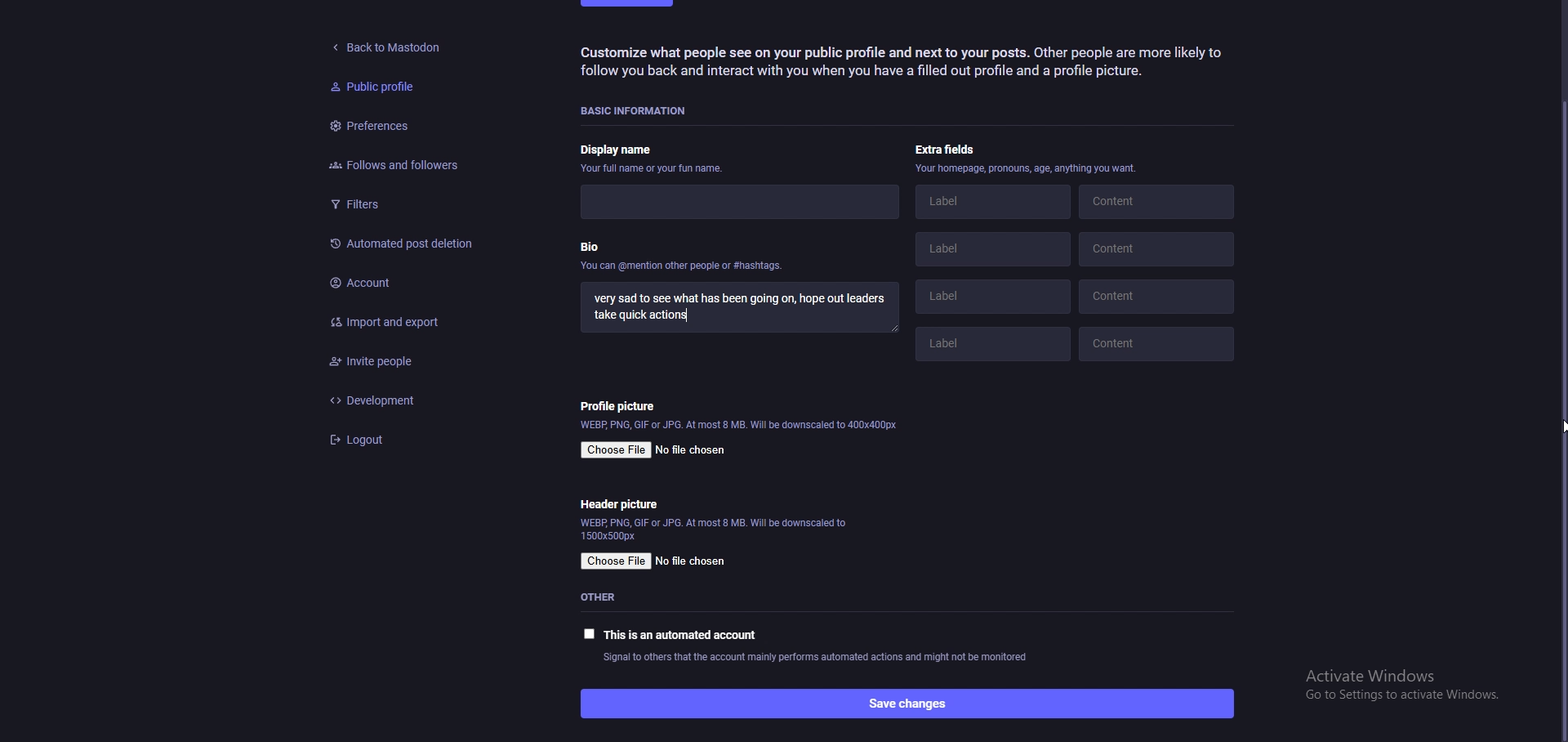 The height and width of the screenshot is (742, 1568). Describe the element at coordinates (394, 204) in the screenshot. I see `Filters` at that location.